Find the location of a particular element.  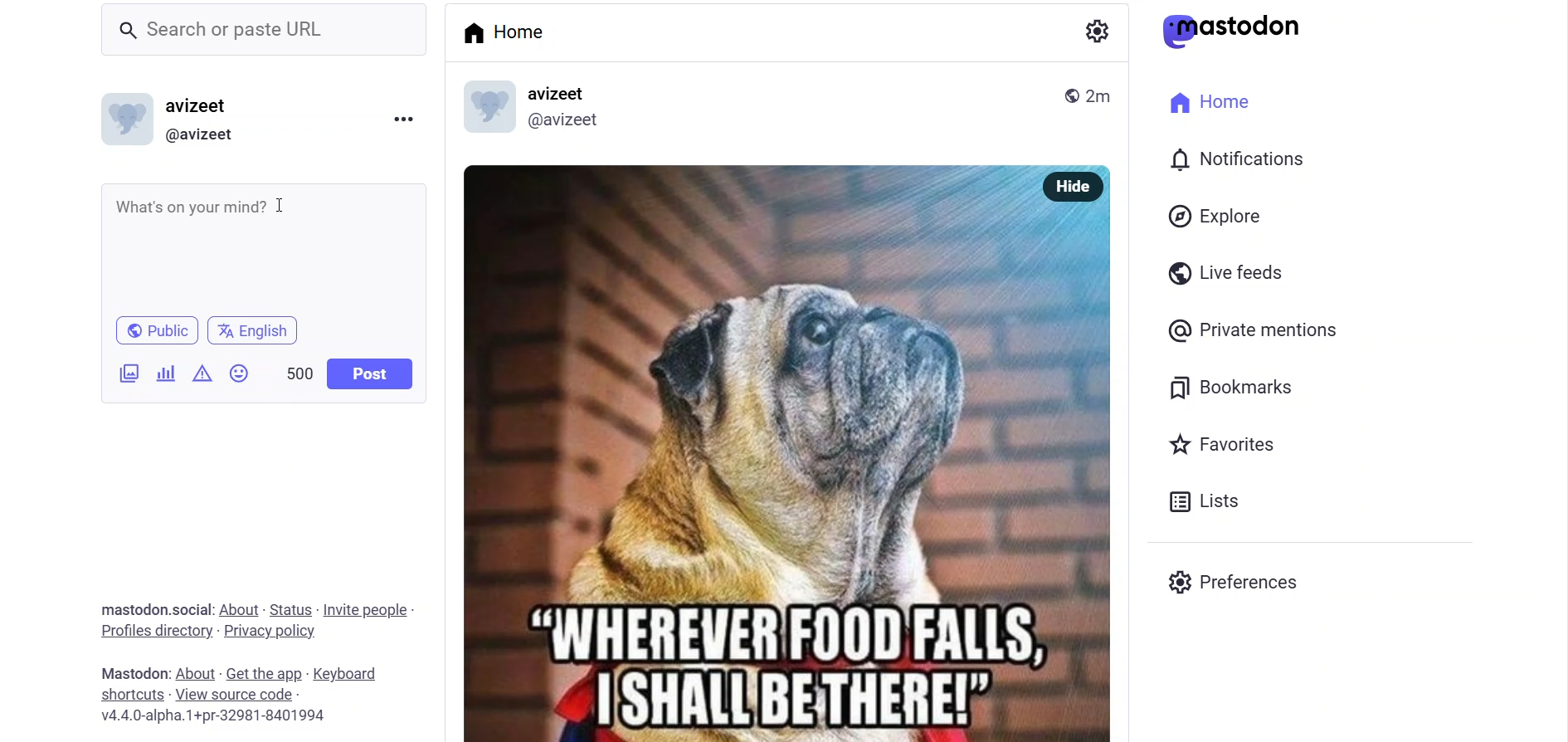

mastodon is located at coordinates (134, 671).